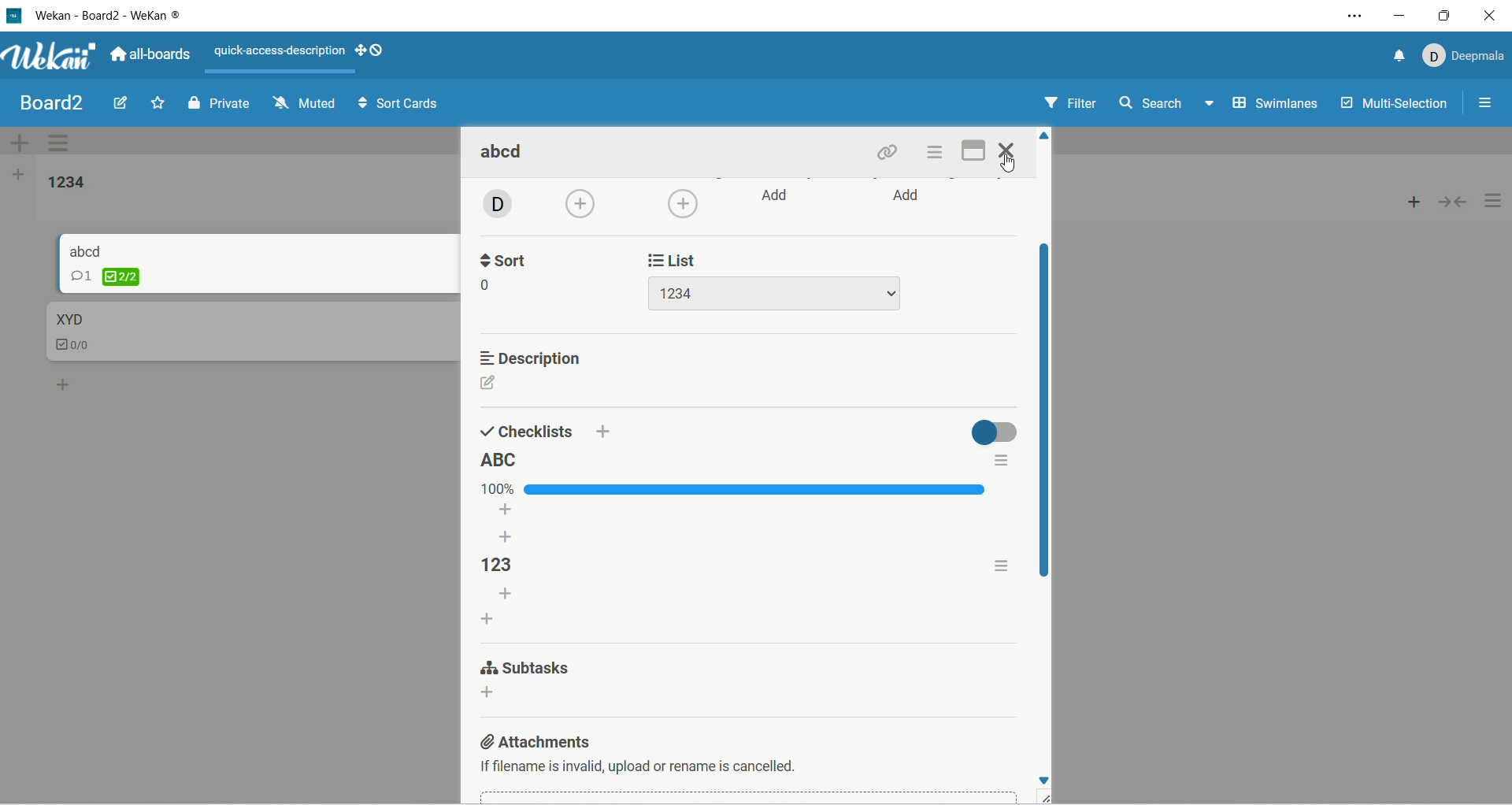 This screenshot has width=1512, height=805. What do you see at coordinates (773, 294) in the screenshot?
I see `list` at bounding box center [773, 294].